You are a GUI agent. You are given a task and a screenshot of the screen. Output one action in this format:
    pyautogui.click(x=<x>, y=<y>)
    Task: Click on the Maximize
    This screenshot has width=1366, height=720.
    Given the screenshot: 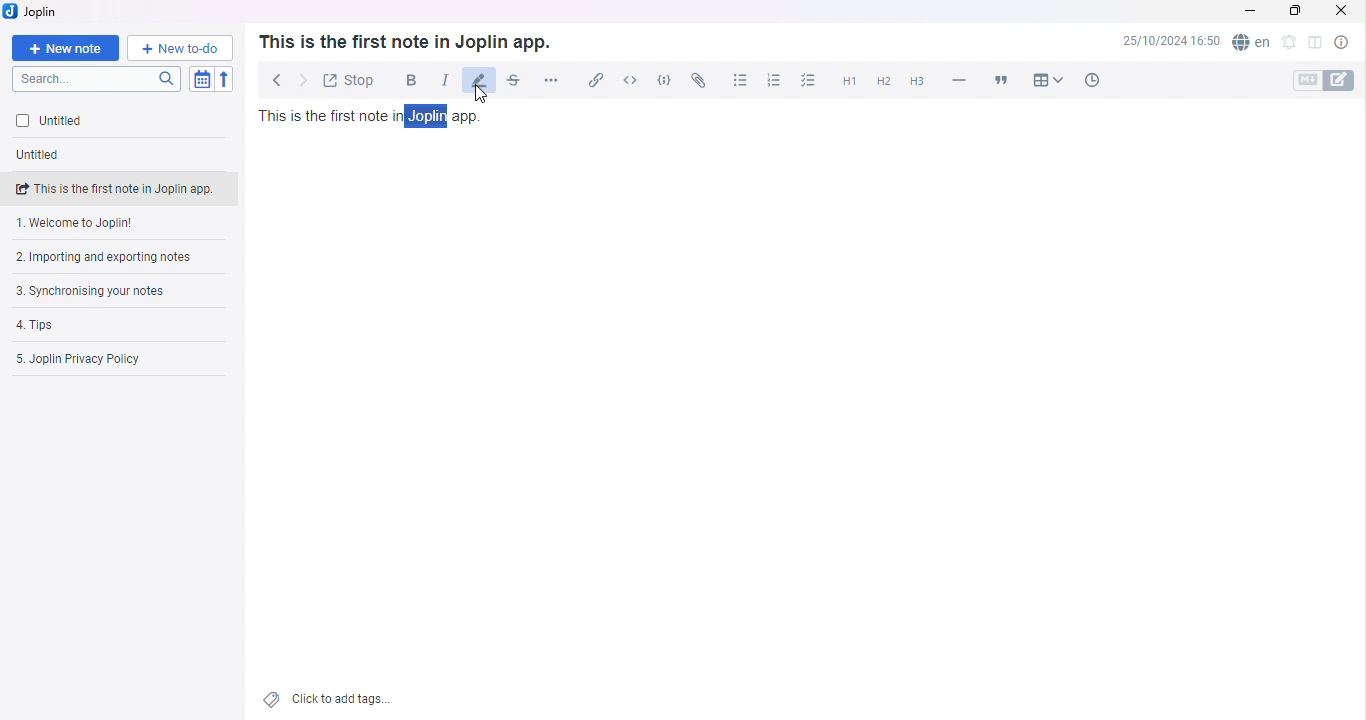 What is the action you would take?
    pyautogui.click(x=1294, y=14)
    